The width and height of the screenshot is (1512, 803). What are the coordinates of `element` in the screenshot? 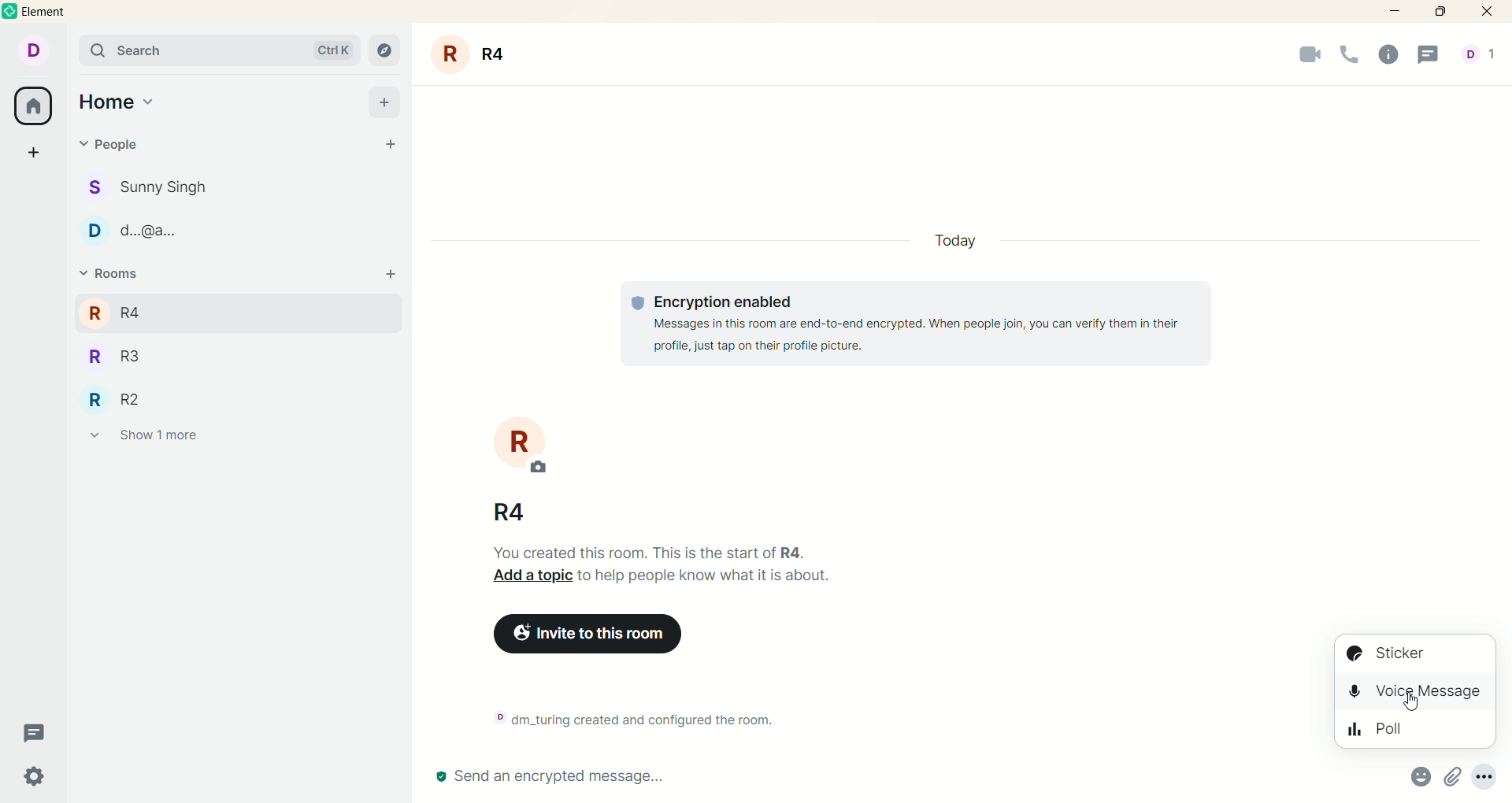 It's located at (54, 12).